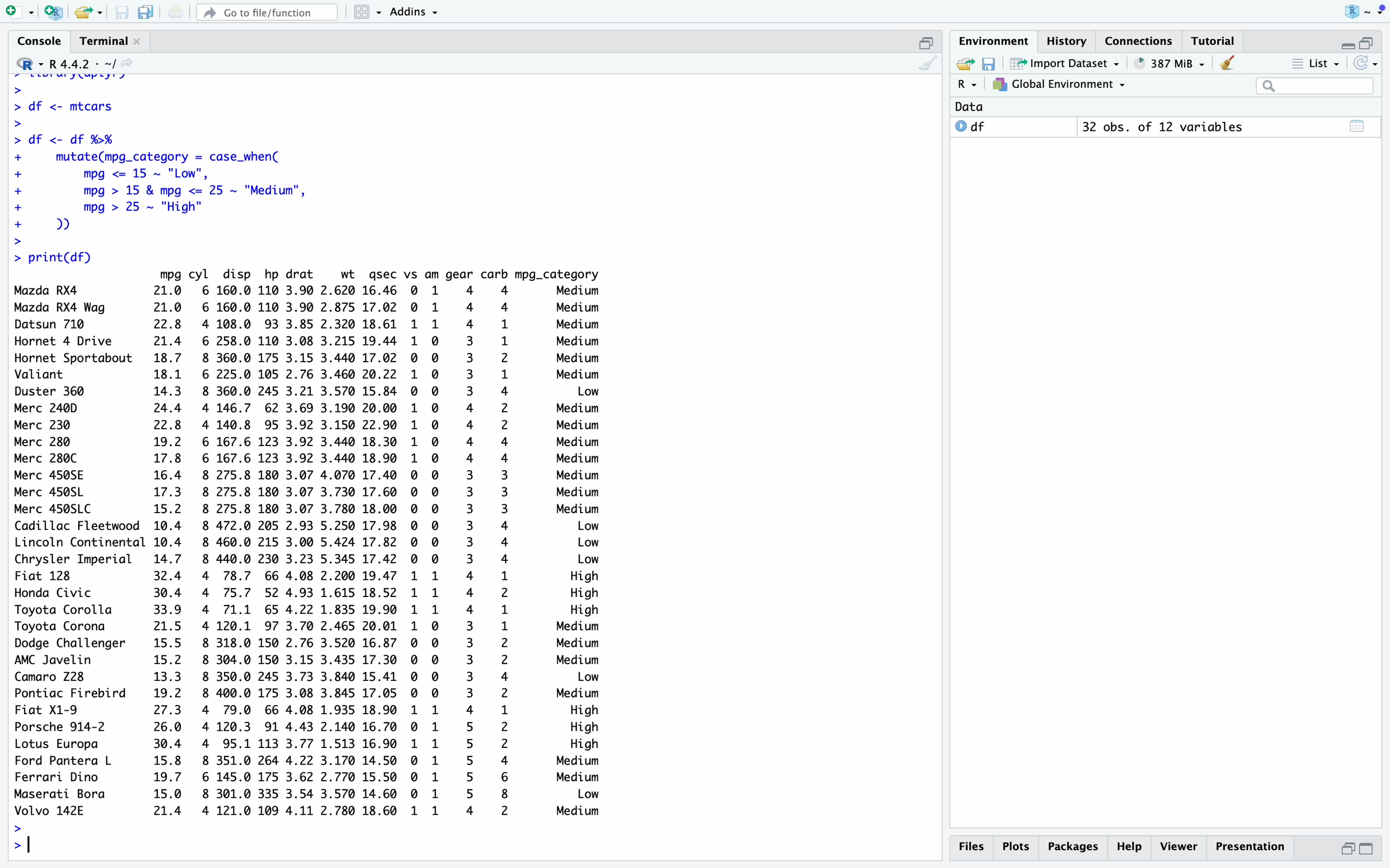  What do you see at coordinates (1018, 848) in the screenshot?
I see `plots` at bounding box center [1018, 848].